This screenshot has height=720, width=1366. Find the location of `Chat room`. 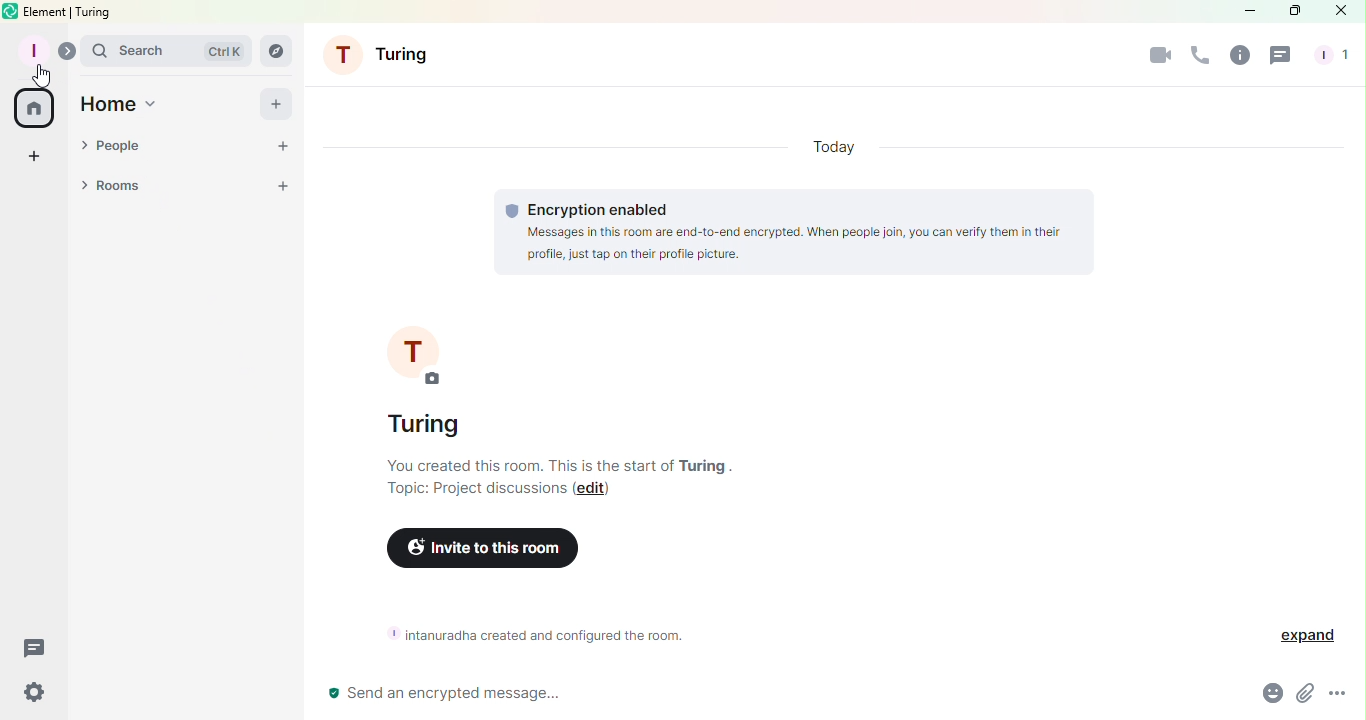

Chat room is located at coordinates (284, 146).